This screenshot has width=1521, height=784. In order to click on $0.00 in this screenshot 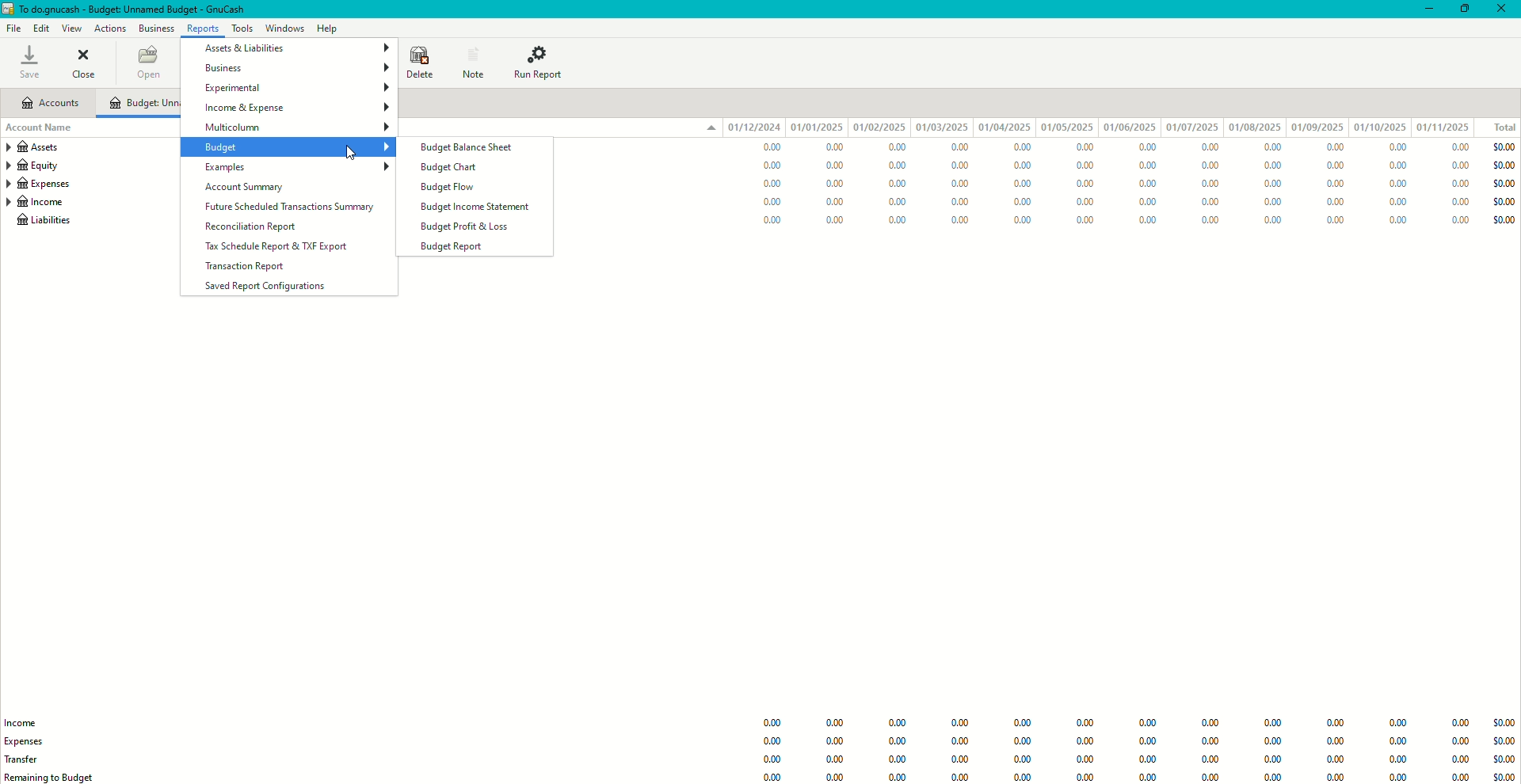, I will do `click(1502, 743)`.